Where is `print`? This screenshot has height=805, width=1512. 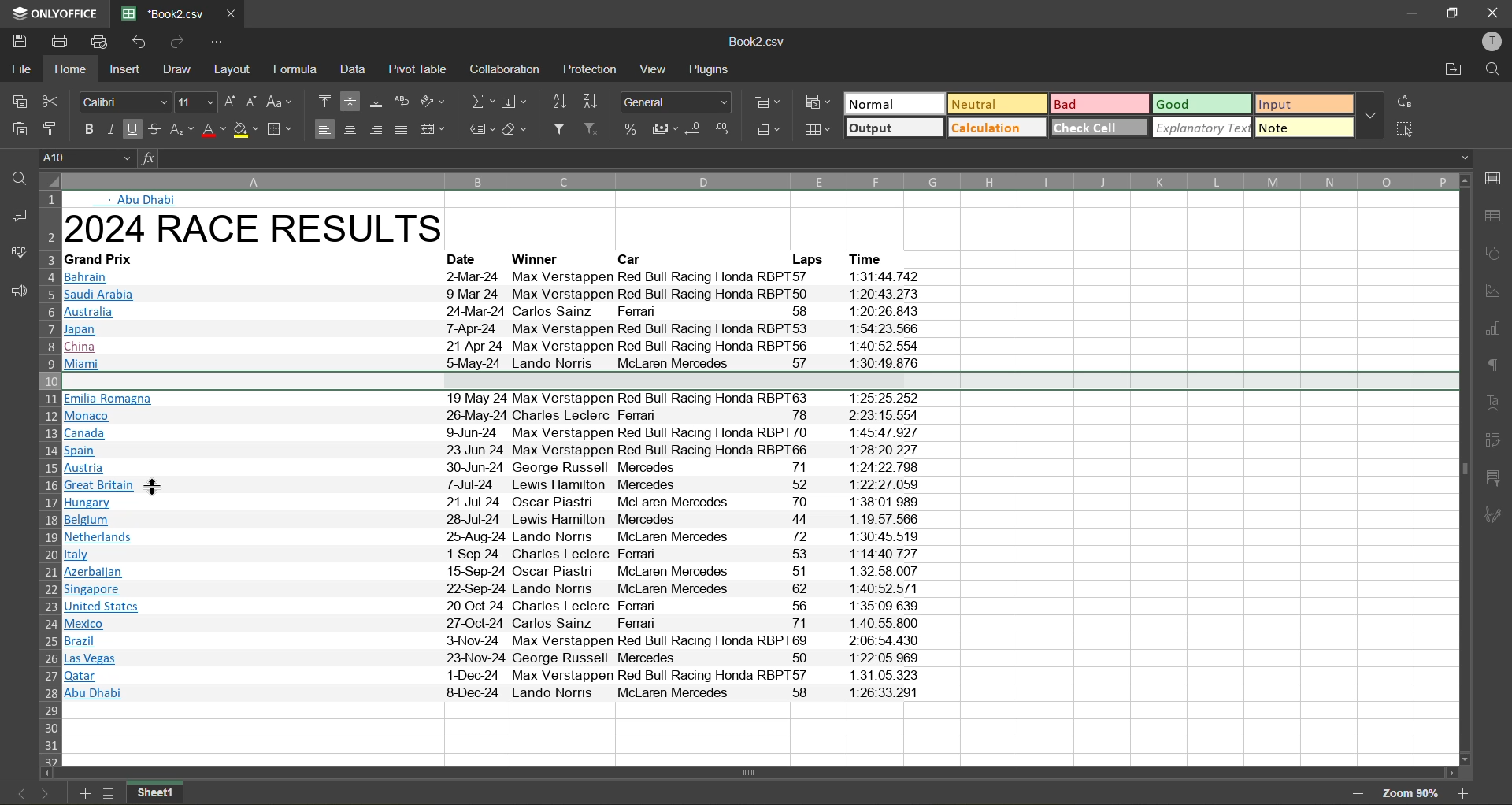
print is located at coordinates (60, 42).